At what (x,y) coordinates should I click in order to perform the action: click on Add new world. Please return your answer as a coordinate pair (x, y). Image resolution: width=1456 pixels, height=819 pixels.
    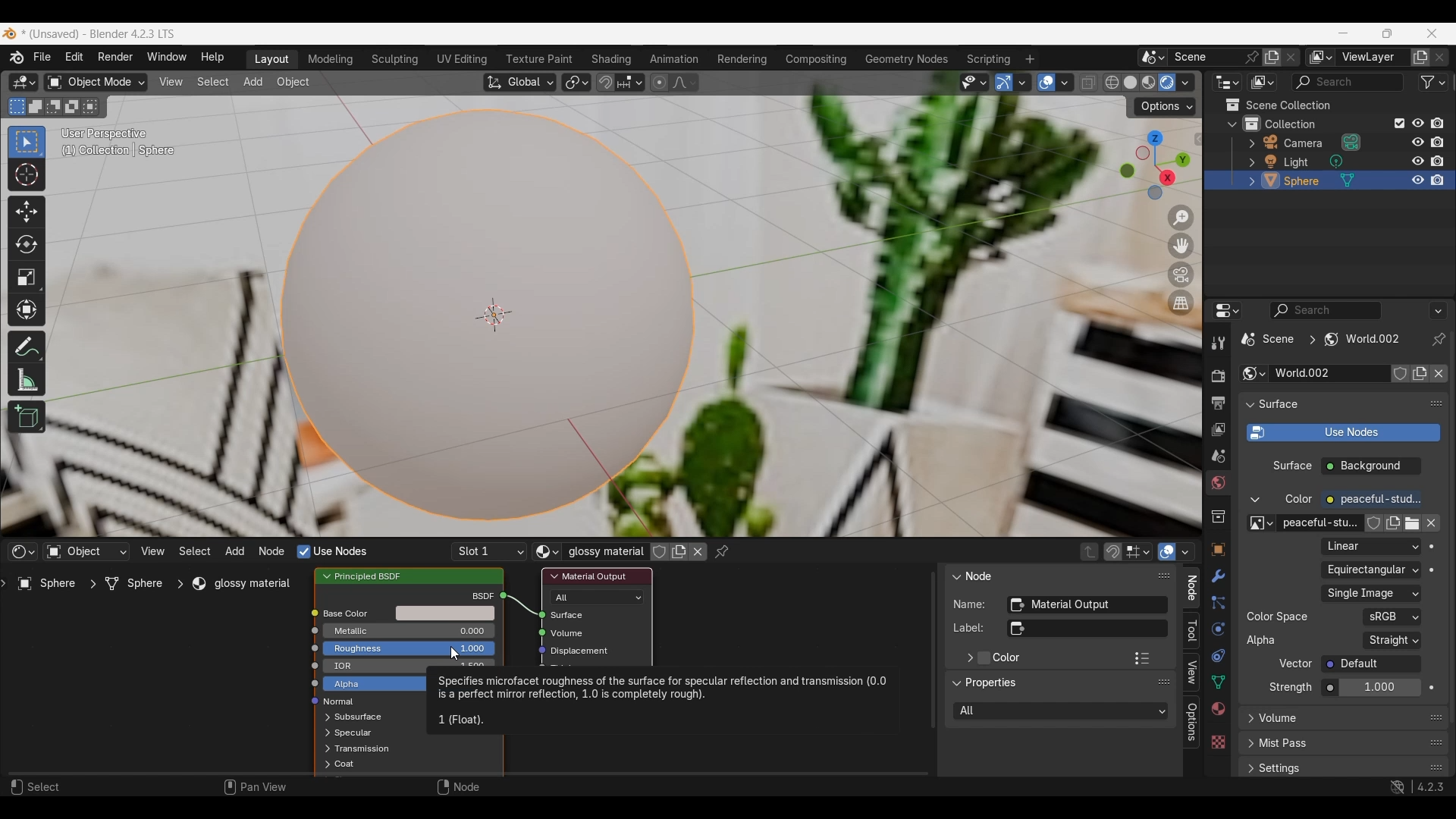
    Looking at the image, I should click on (1420, 373).